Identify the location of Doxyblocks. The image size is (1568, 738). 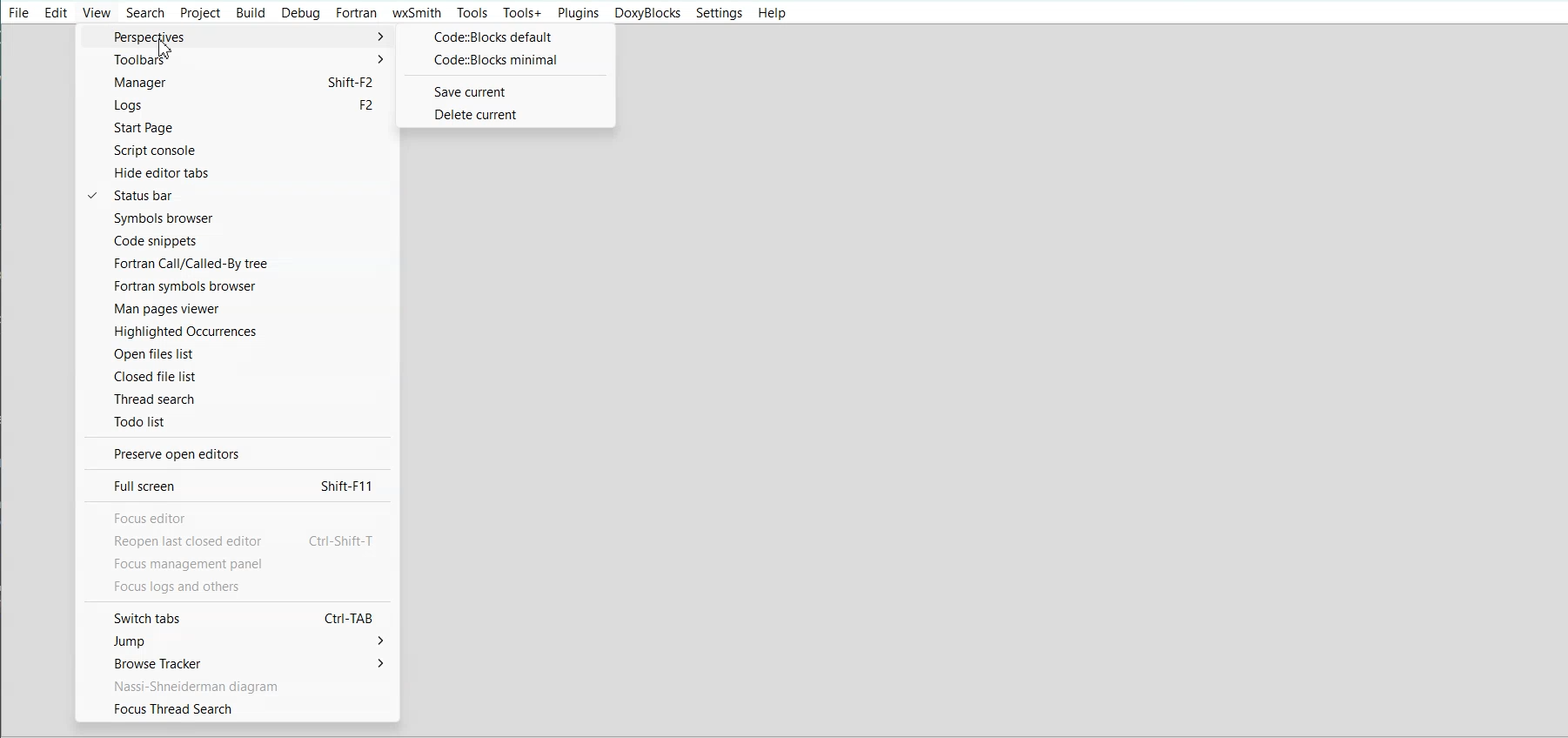
(647, 13).